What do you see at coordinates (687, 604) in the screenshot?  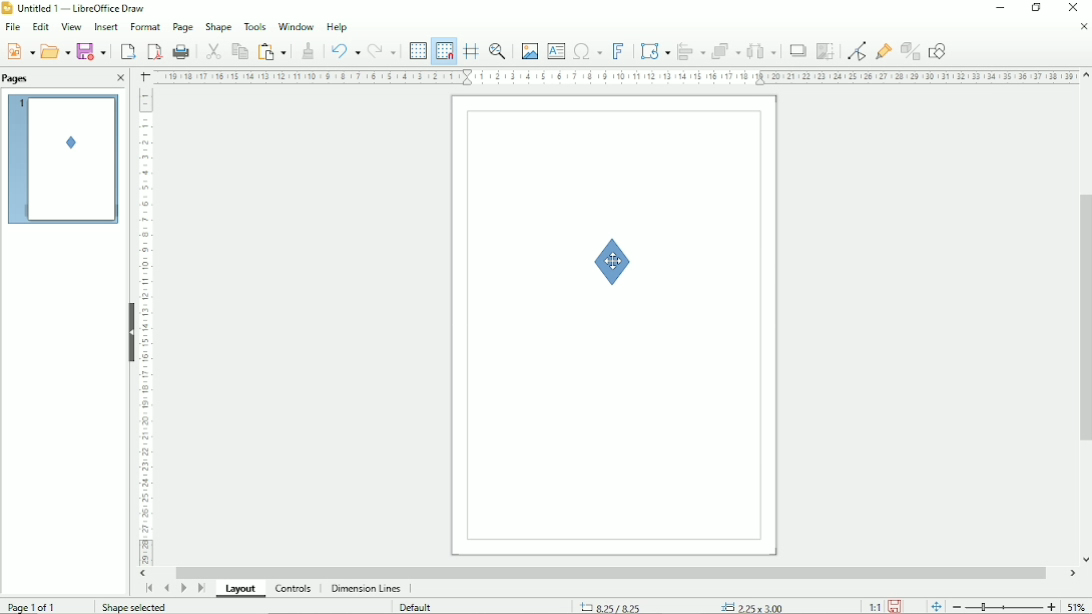 I see `Cursor position` at bounding box center [687, 604].